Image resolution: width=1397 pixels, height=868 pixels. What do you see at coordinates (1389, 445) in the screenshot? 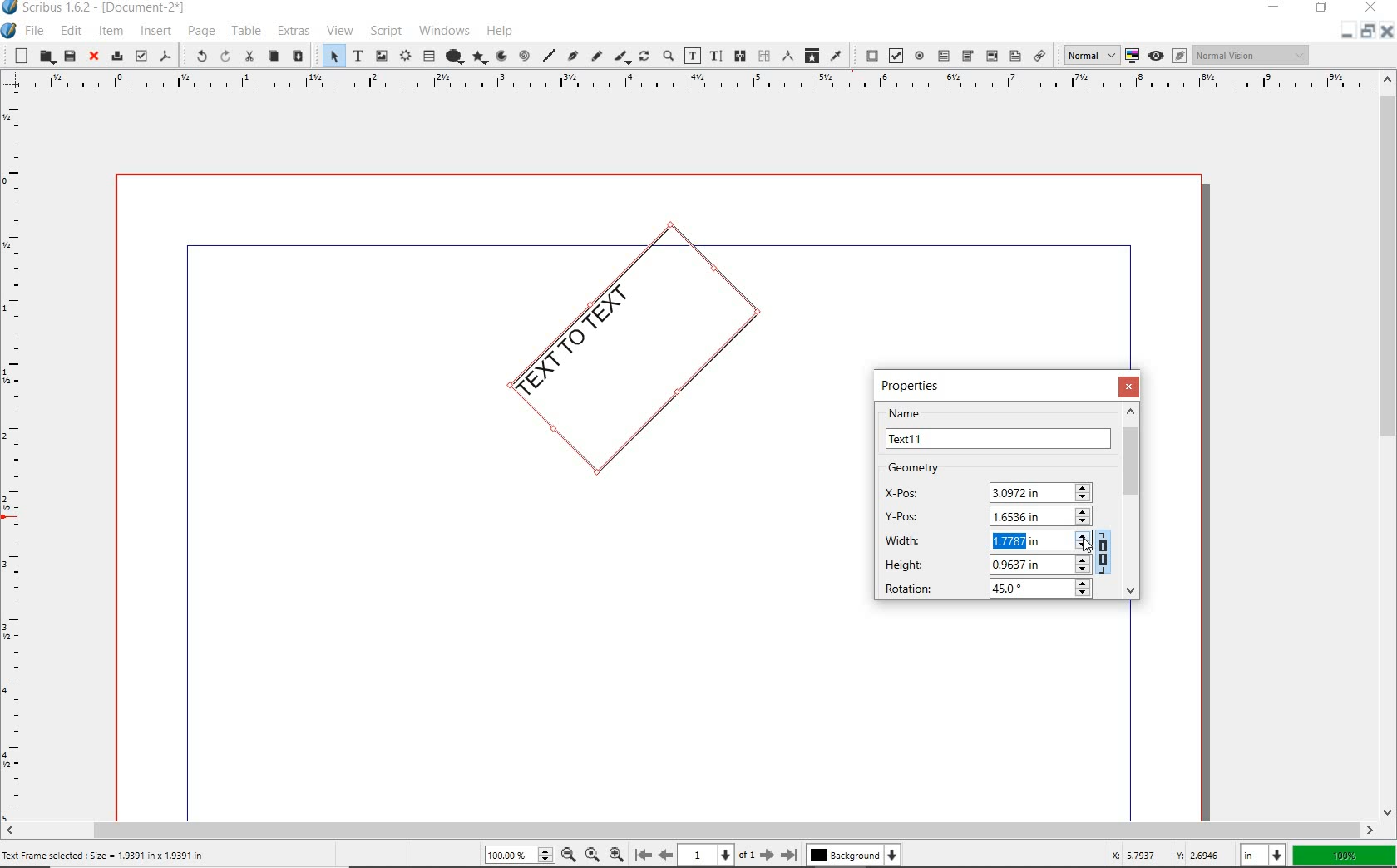
I see `scrollbar` at bounding box center [1389, 445].